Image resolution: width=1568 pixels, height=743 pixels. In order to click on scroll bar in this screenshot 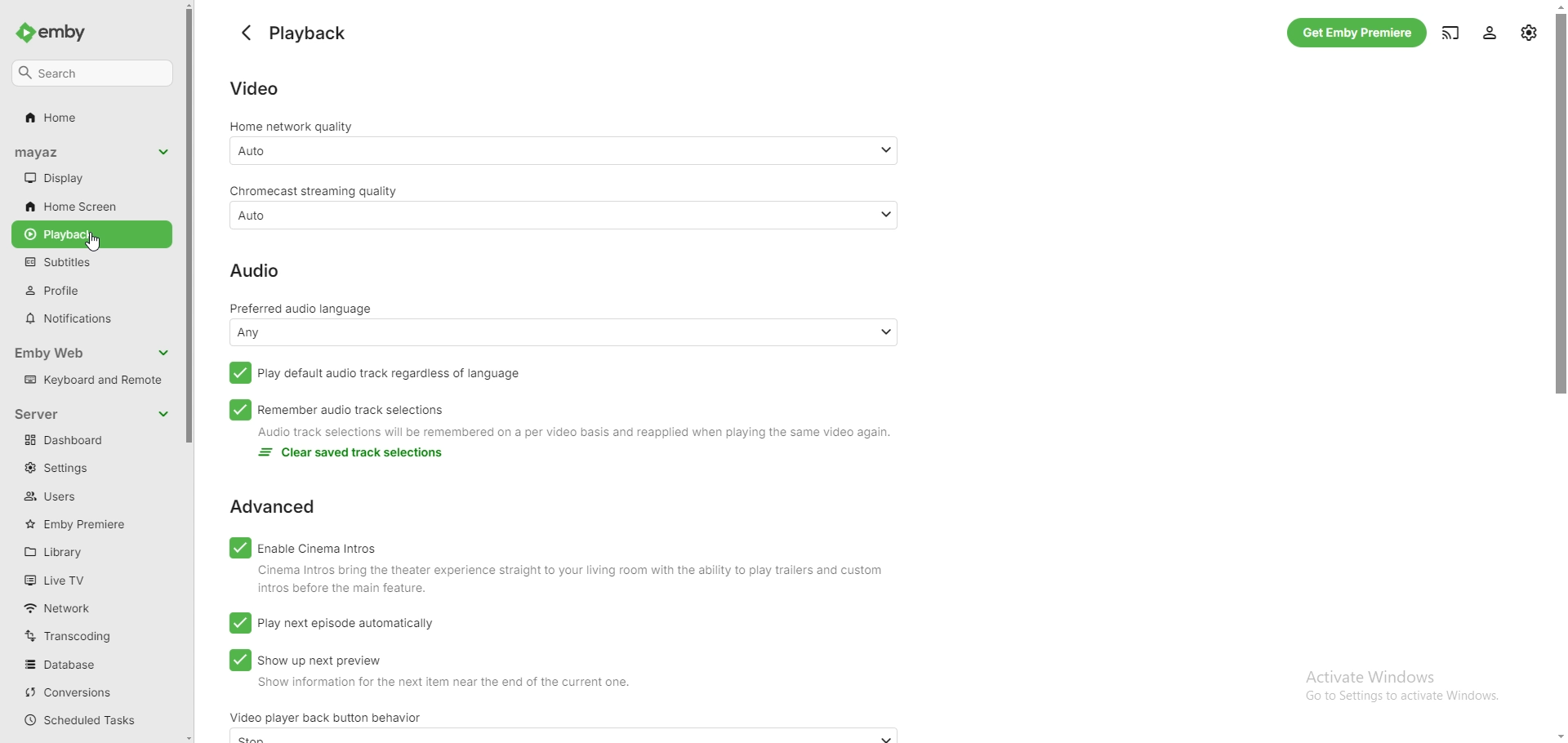, I will do `click(1566, 372)`.